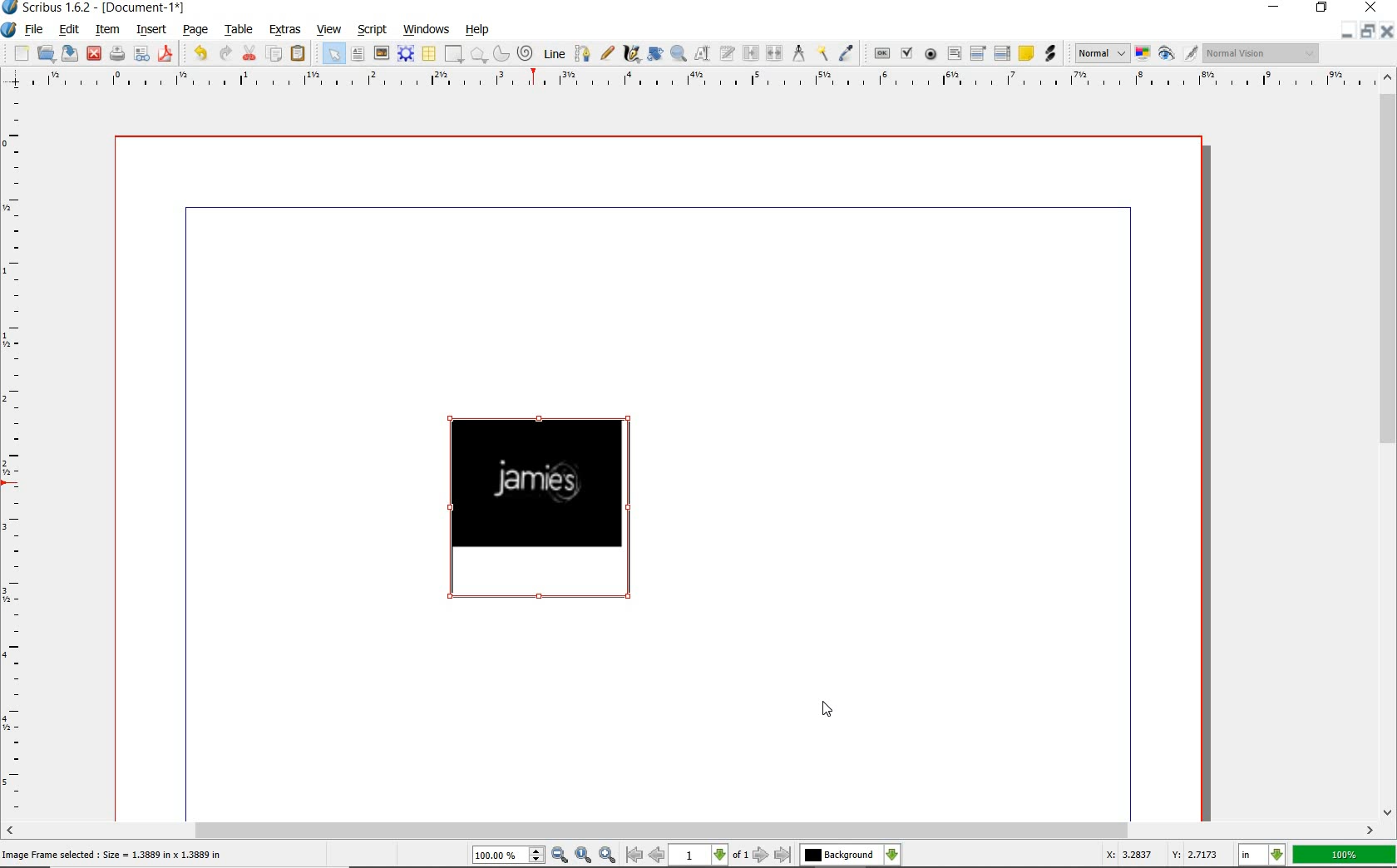 The height and width of the screenshot is (868, 1397). What do you see at coordinates (727, 52) in the screenshot?
I see `edit text with story editor` at bounding box center [727, 52].